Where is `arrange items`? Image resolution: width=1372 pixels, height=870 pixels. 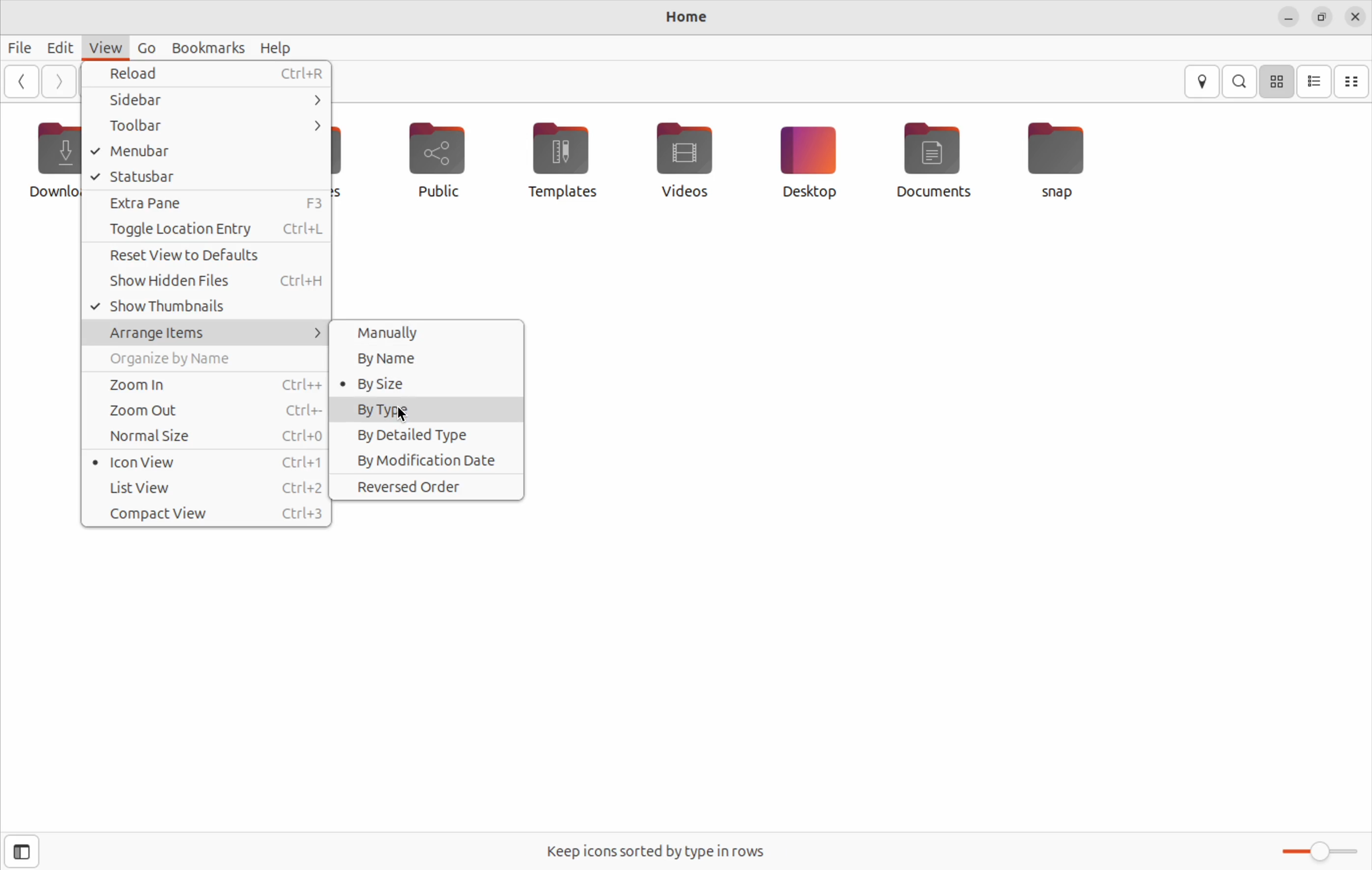
arrange items is located at coordinates (208, 334).